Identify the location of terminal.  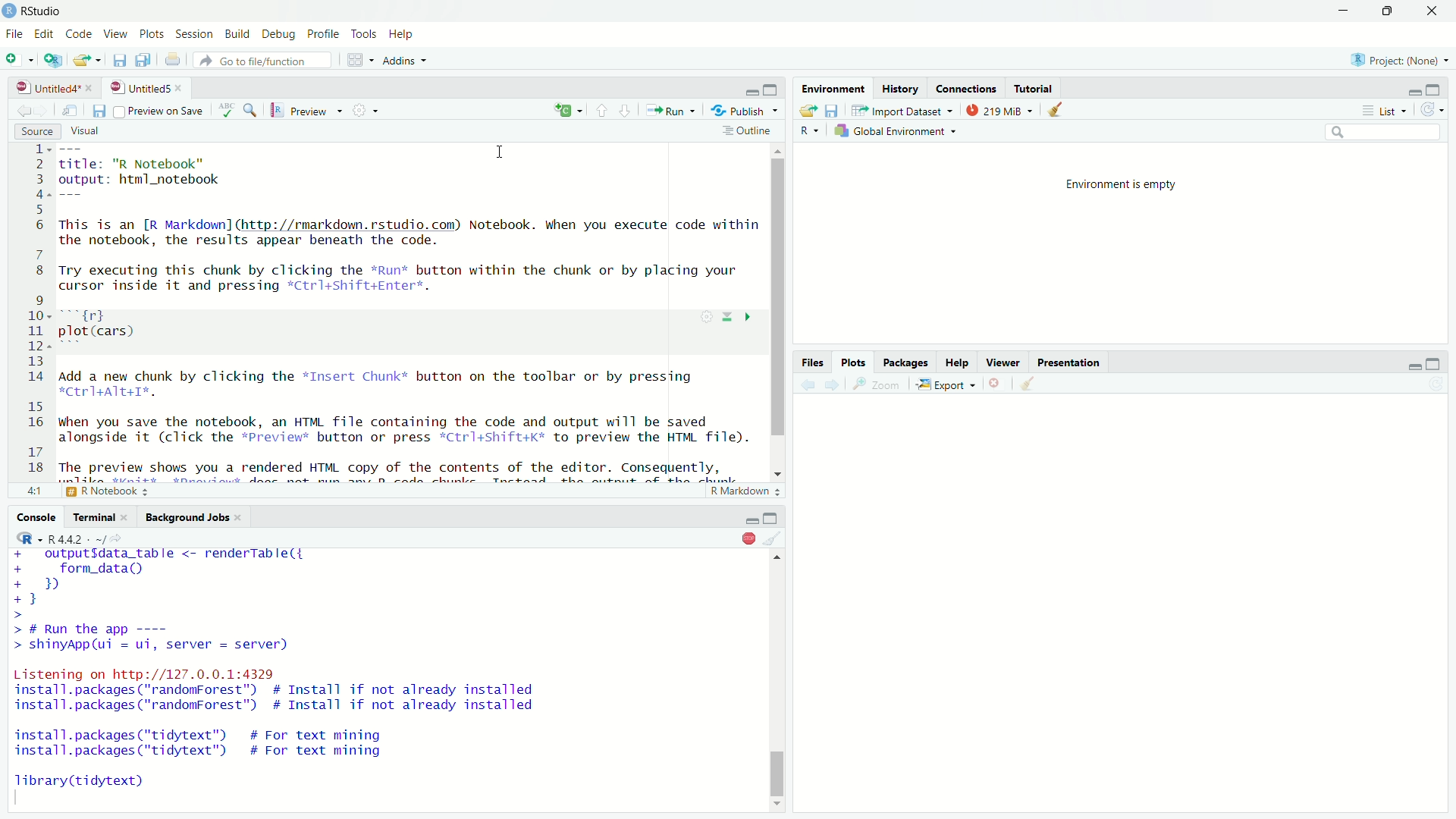
(102, 516).